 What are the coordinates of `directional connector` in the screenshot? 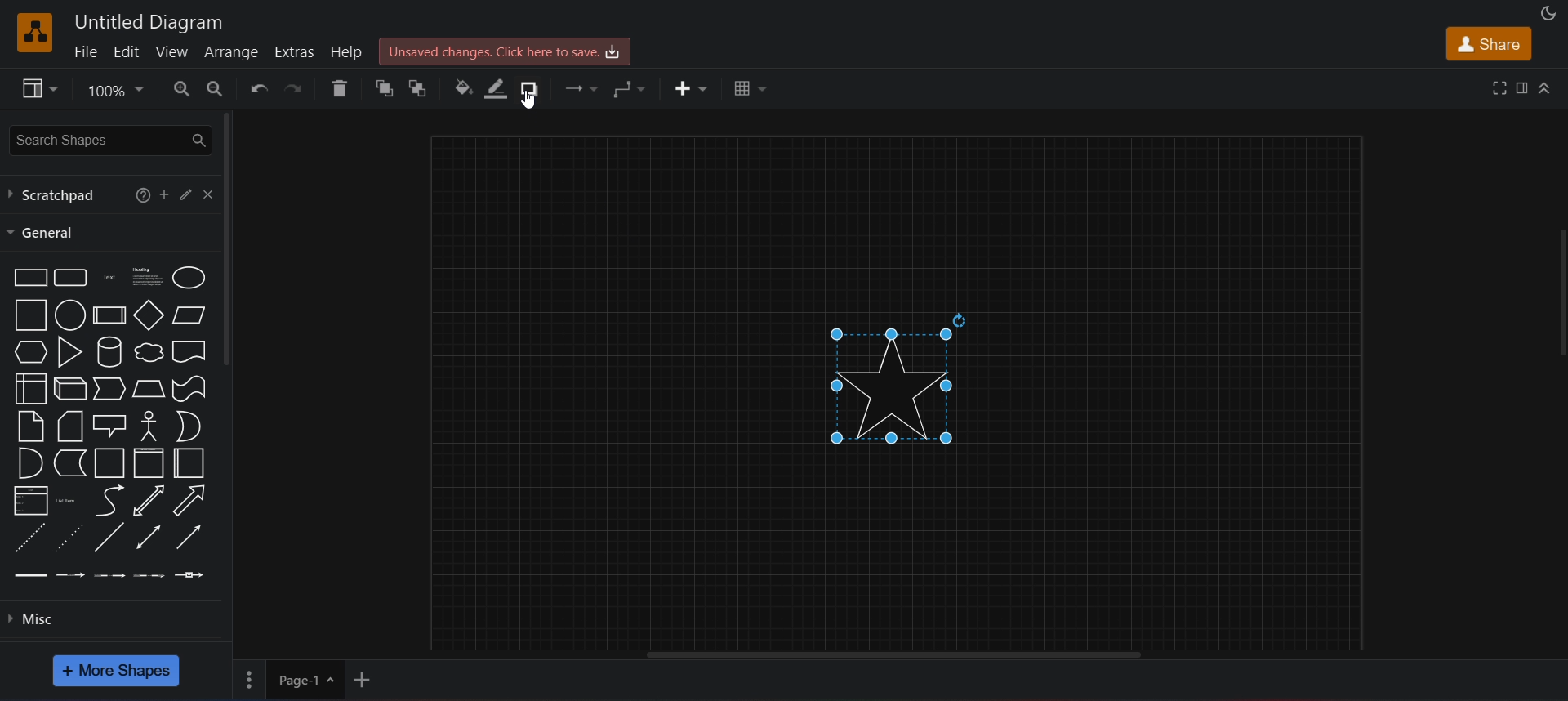 It's located at (187, 538).